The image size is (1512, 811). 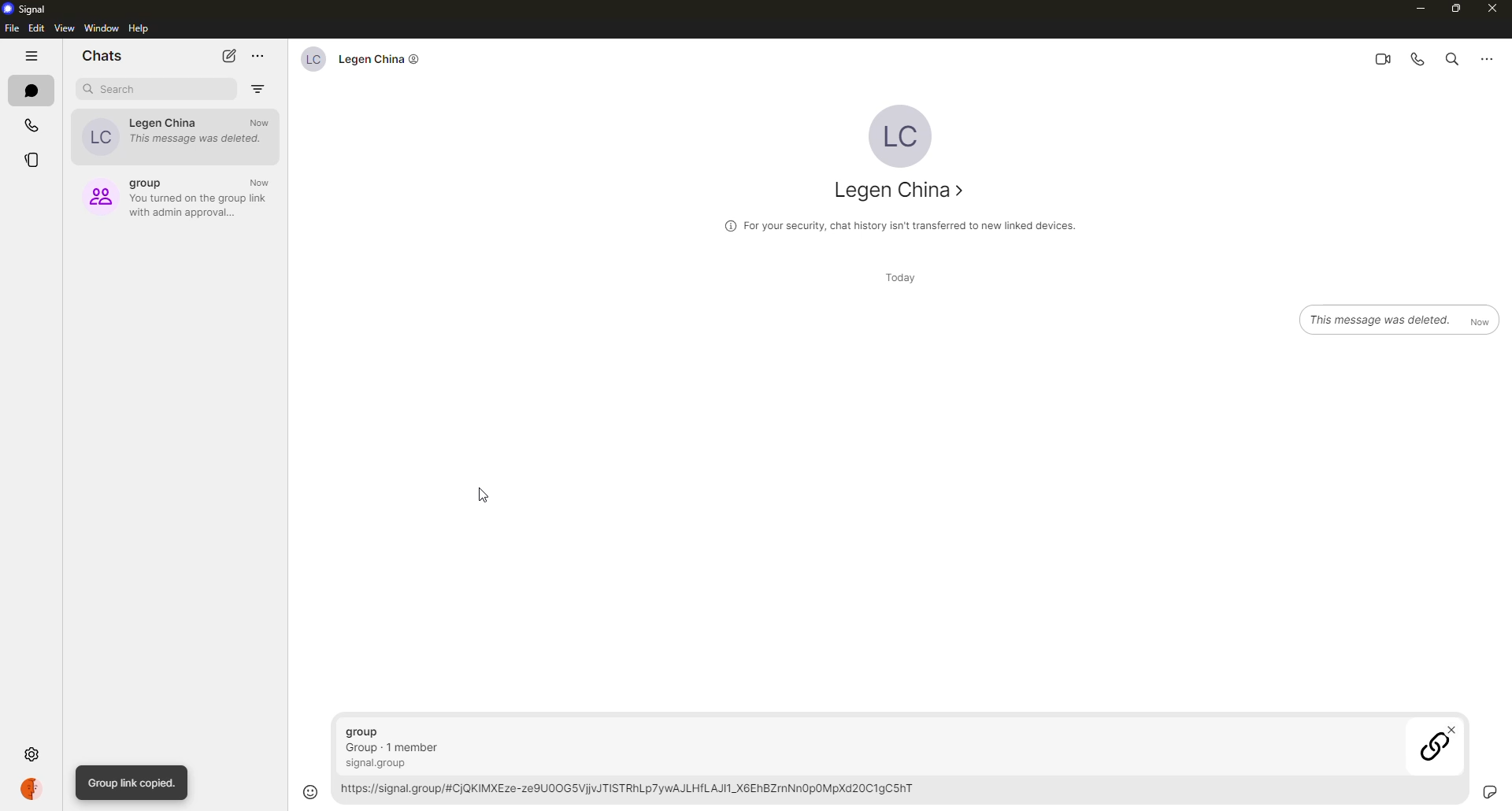 What do you see at coordinates (258, 85) in the screenshot?
I see `filter` at bounding box center [258, 85].